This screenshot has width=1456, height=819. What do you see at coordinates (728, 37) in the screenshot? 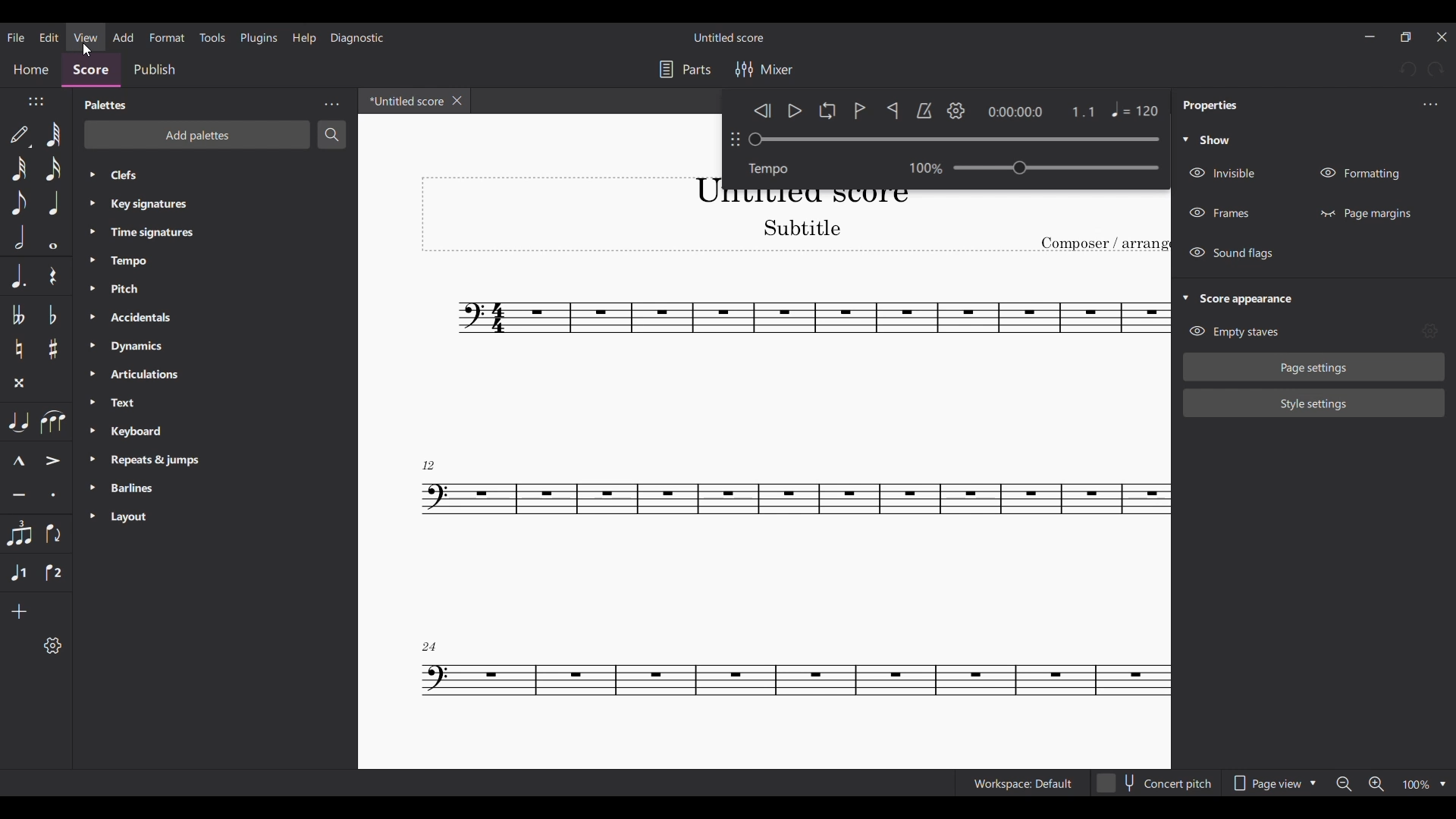
I see `Untitled score` at bounding box center [728, 37].